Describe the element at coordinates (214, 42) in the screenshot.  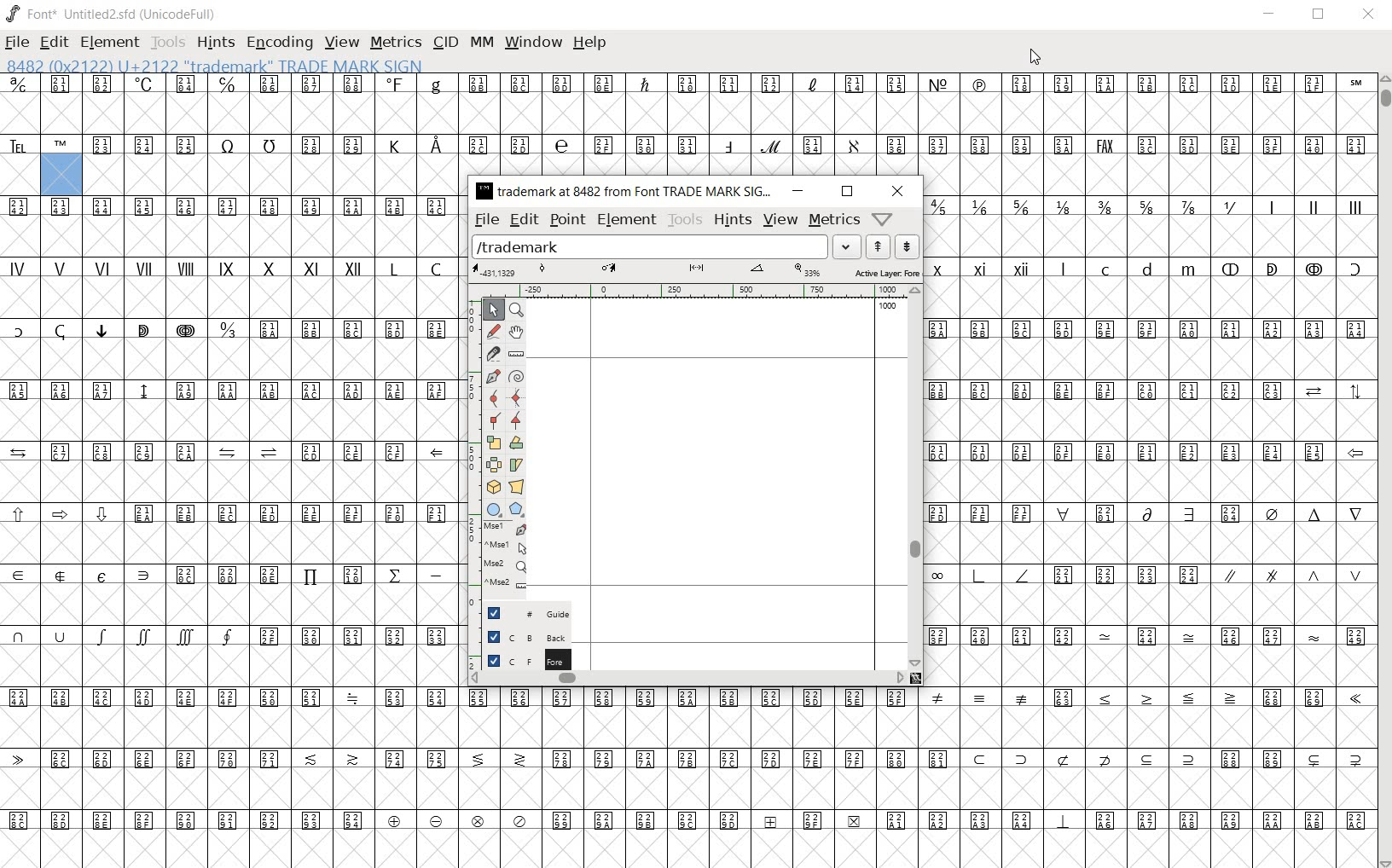
I see `HINTS` at that location.